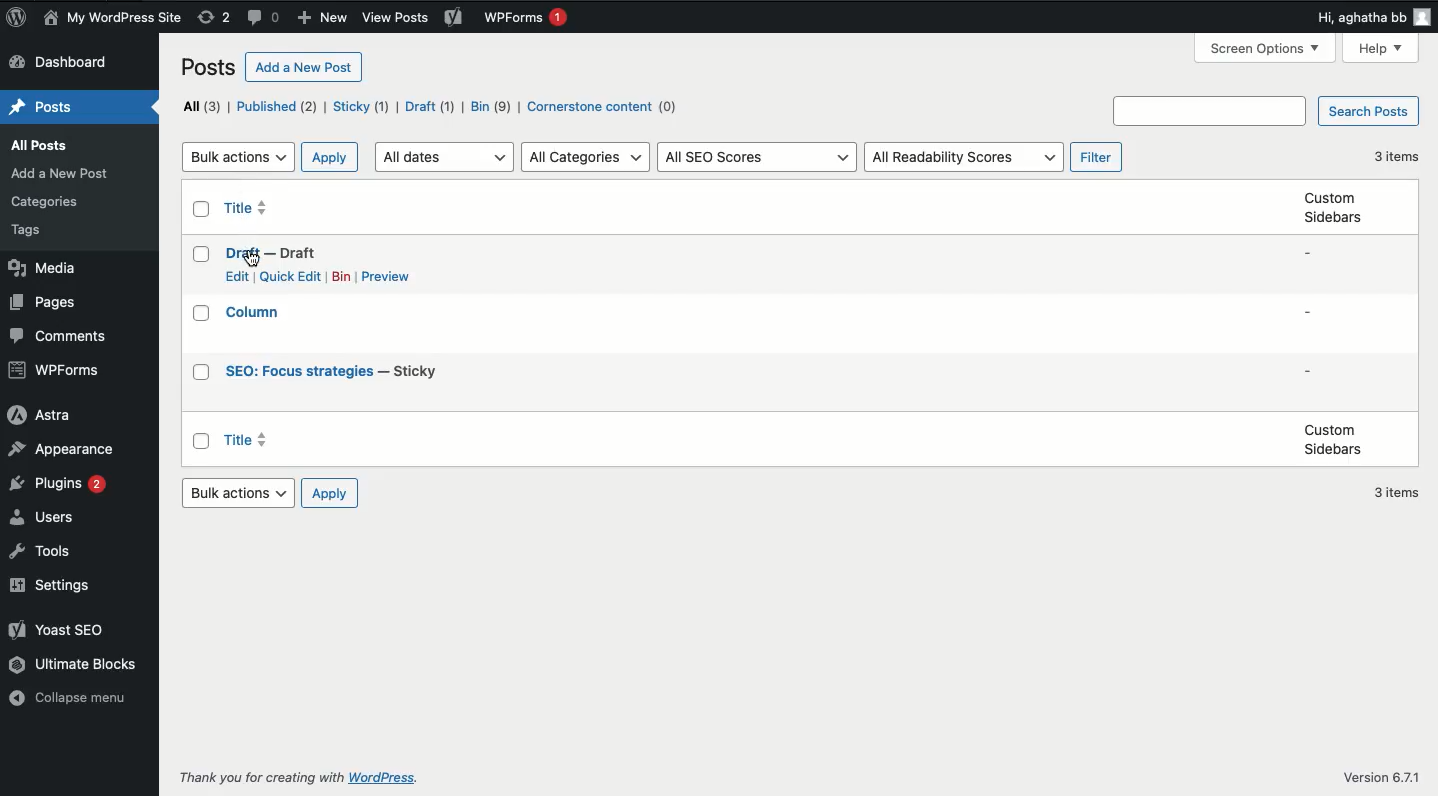 The image size is (1438, 796). Describe the element at coordinates (303, 67) in the screenshot. I see `Add a new post` at that location.